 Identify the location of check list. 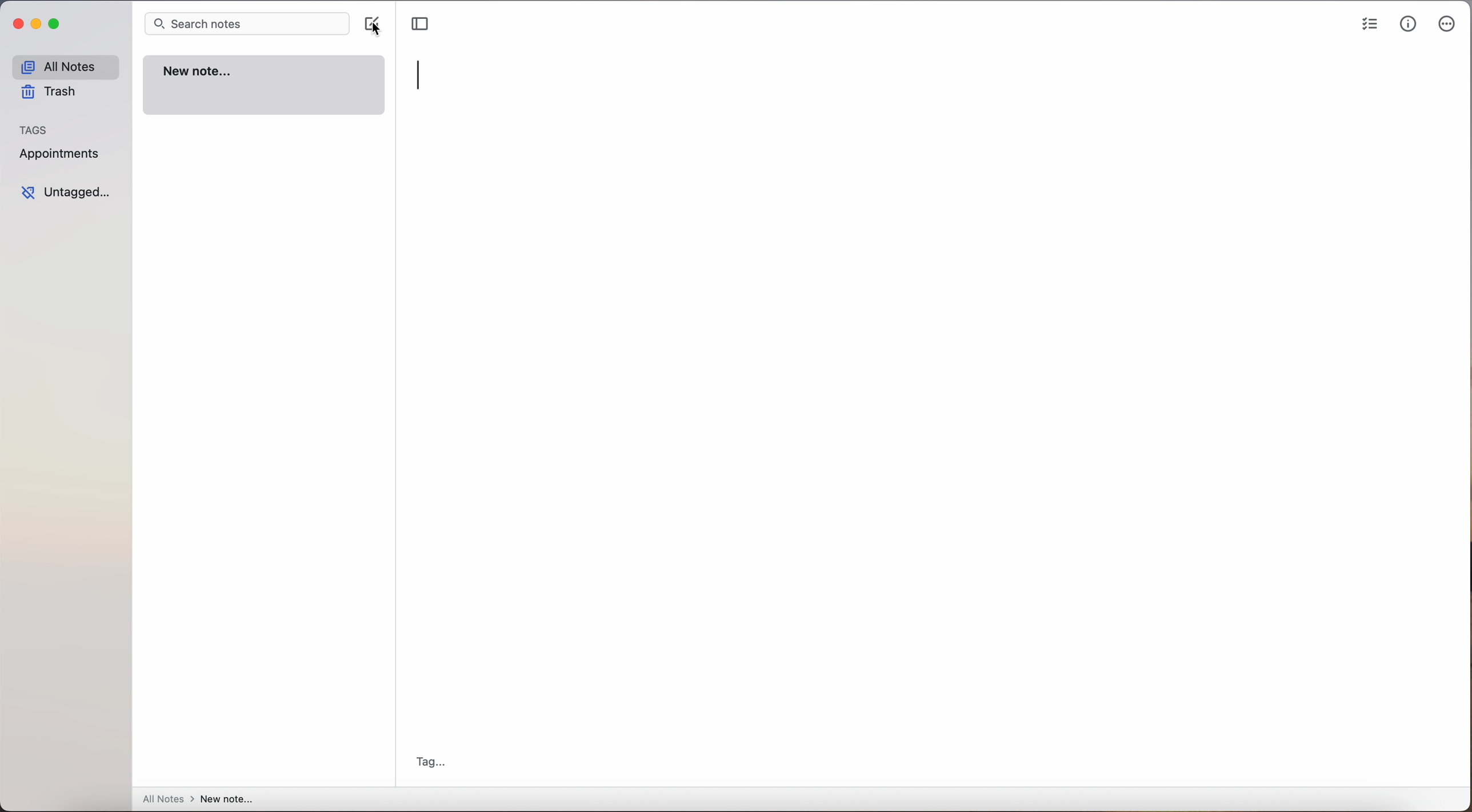
(1370, 25).